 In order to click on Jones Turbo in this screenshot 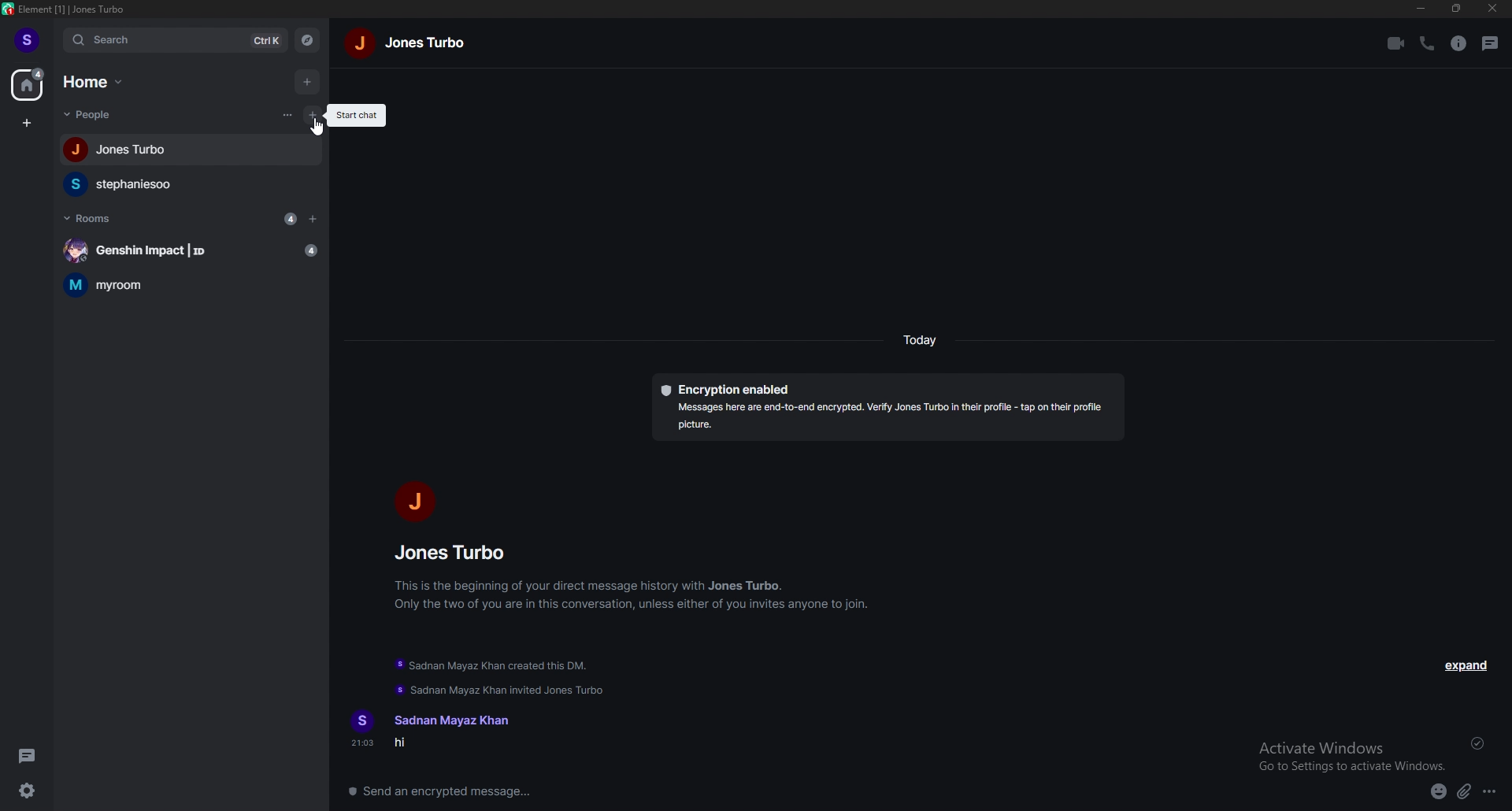, I will do `click(116, 152)`.